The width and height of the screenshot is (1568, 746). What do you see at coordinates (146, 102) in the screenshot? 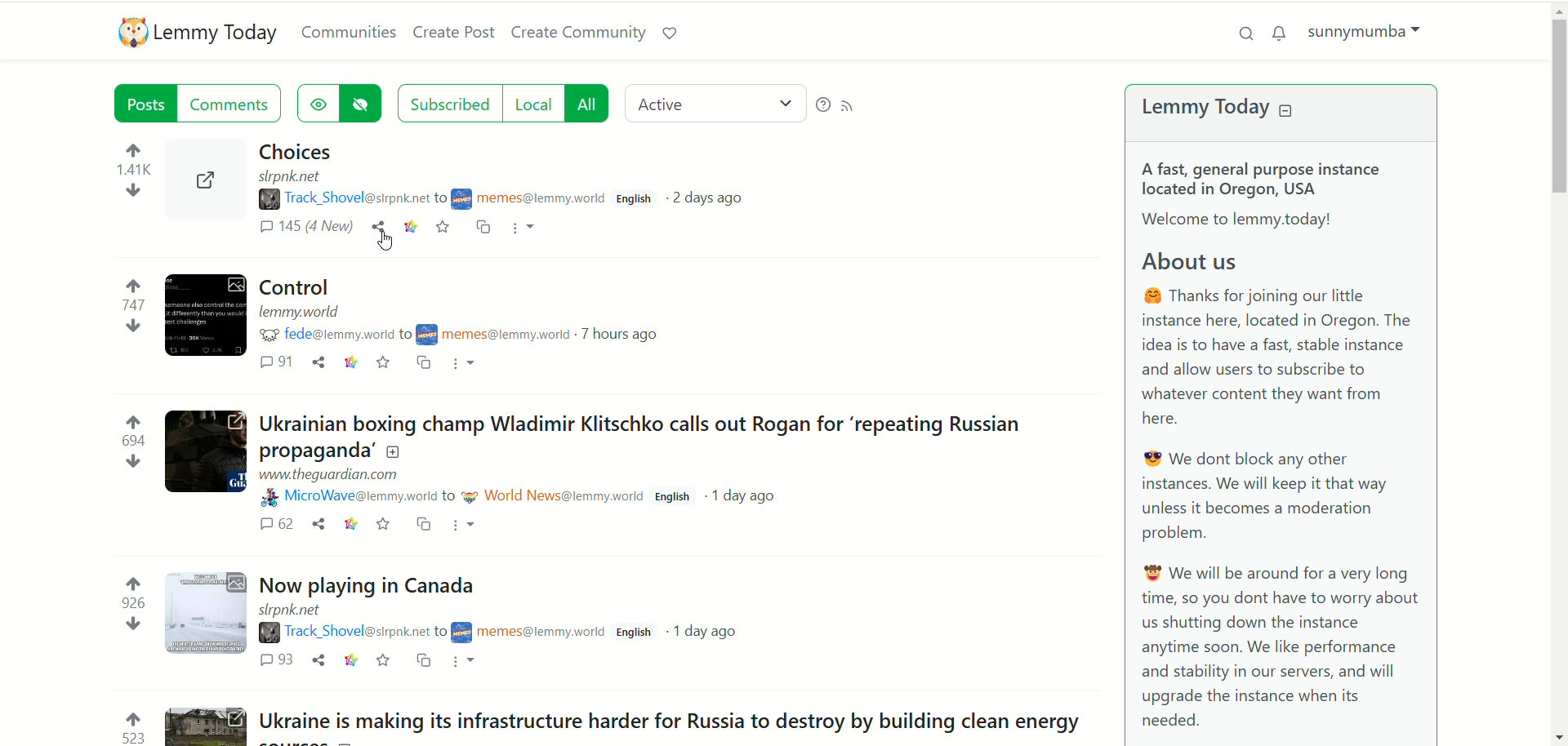
I see `posts` at bounding box center [146, 102].